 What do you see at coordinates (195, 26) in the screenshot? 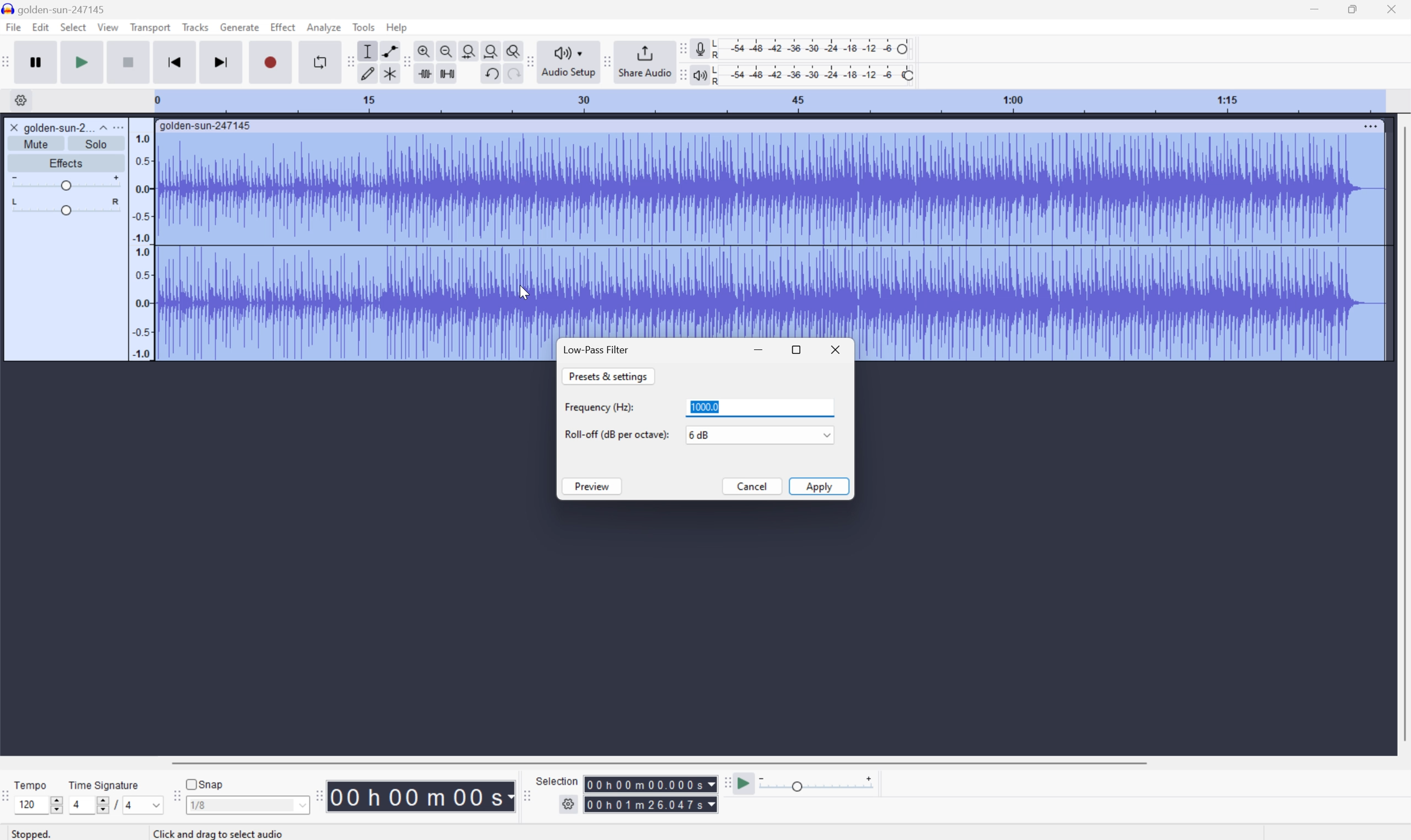
I see `Tracks` at bounding box center [195, 26].